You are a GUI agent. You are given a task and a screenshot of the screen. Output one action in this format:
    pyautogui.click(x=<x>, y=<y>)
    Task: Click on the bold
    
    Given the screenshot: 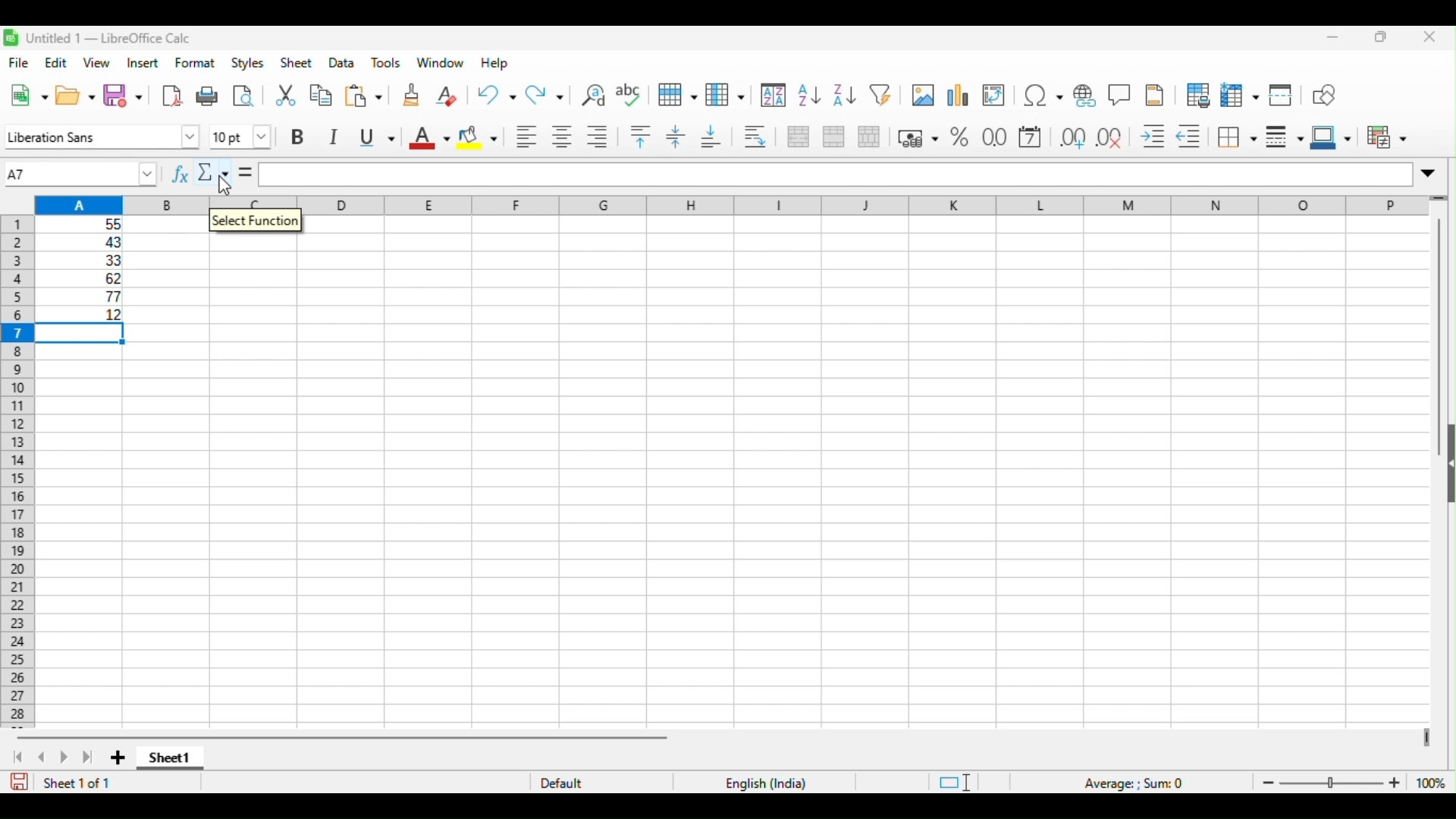 What is the action you would take?
    pyautogui.click(x=300, y=136)
    